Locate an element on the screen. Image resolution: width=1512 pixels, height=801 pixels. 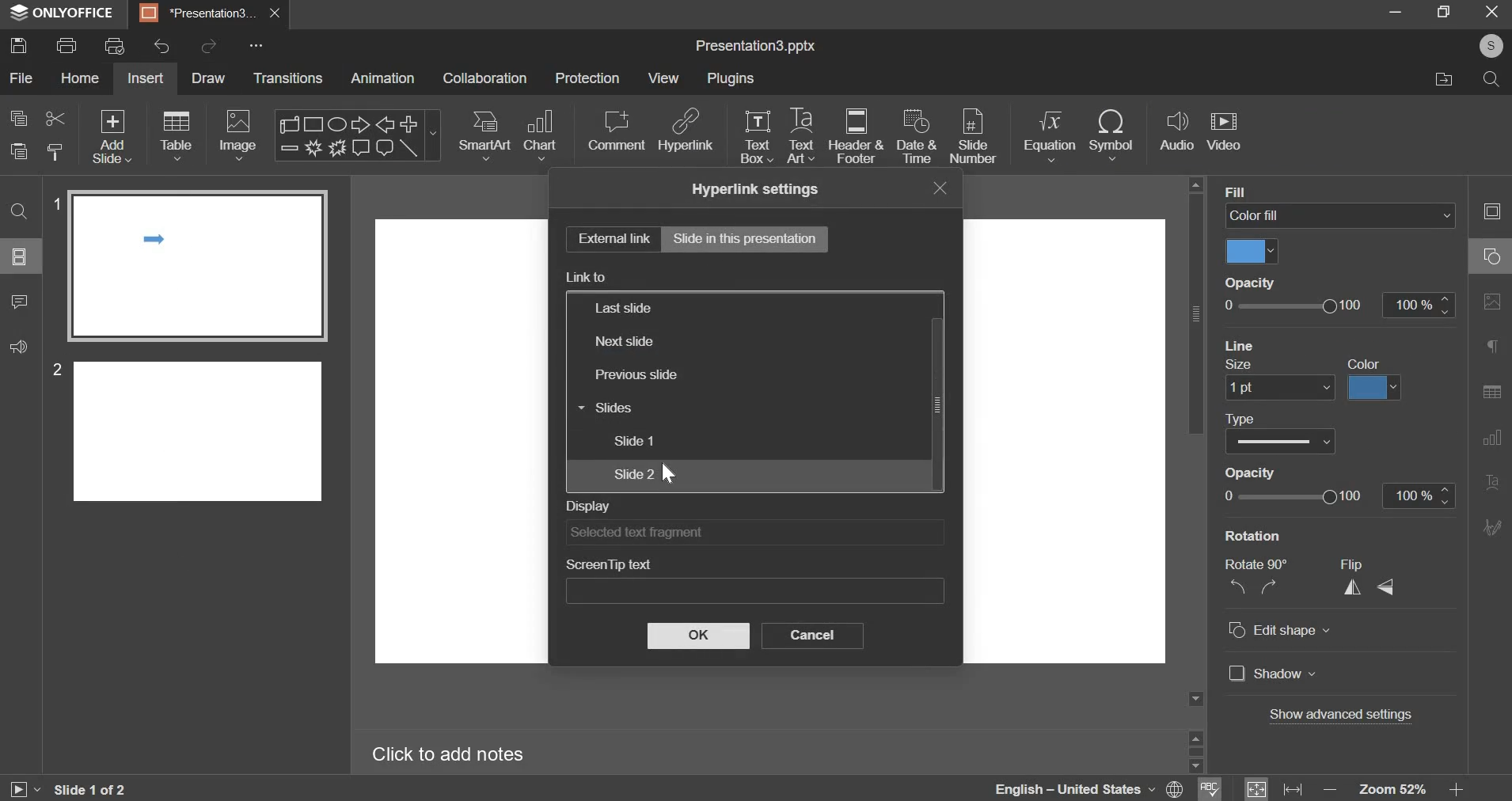
select fill color is located at coordinates (1252, 252).